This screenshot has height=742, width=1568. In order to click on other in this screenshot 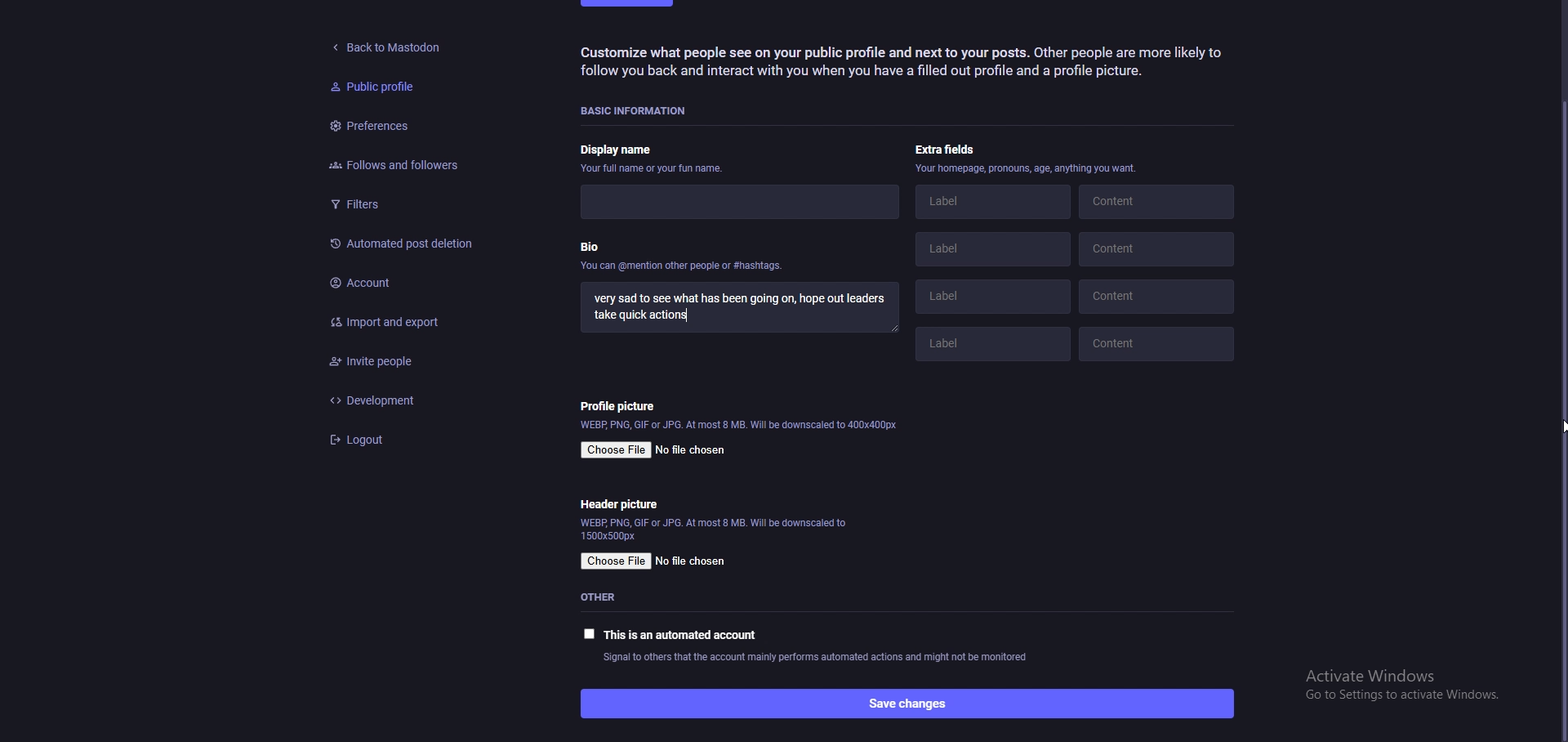, I will do `click(608, 597)`.